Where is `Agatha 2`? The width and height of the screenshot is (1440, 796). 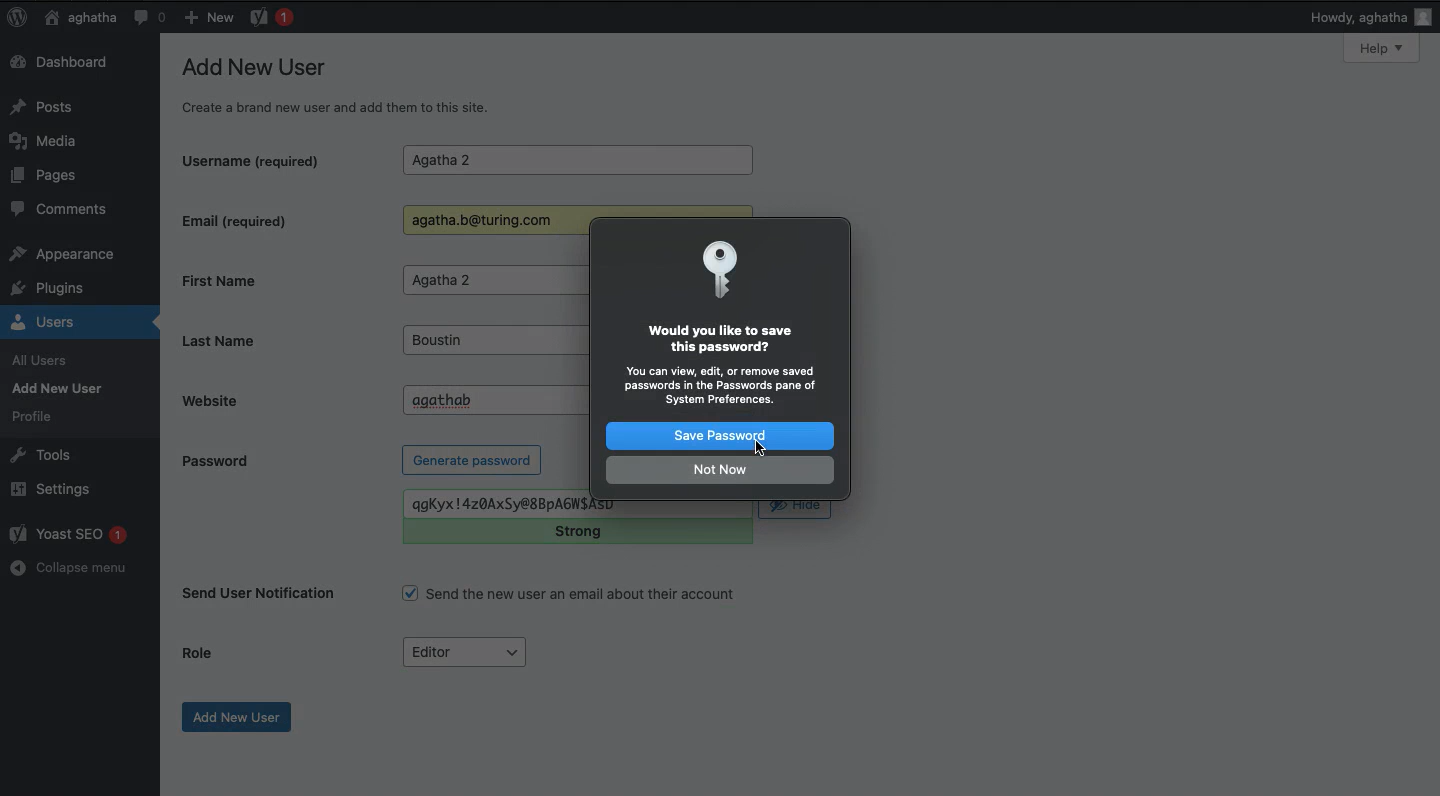 Agatha 2 is located at coordinates (485, 281).